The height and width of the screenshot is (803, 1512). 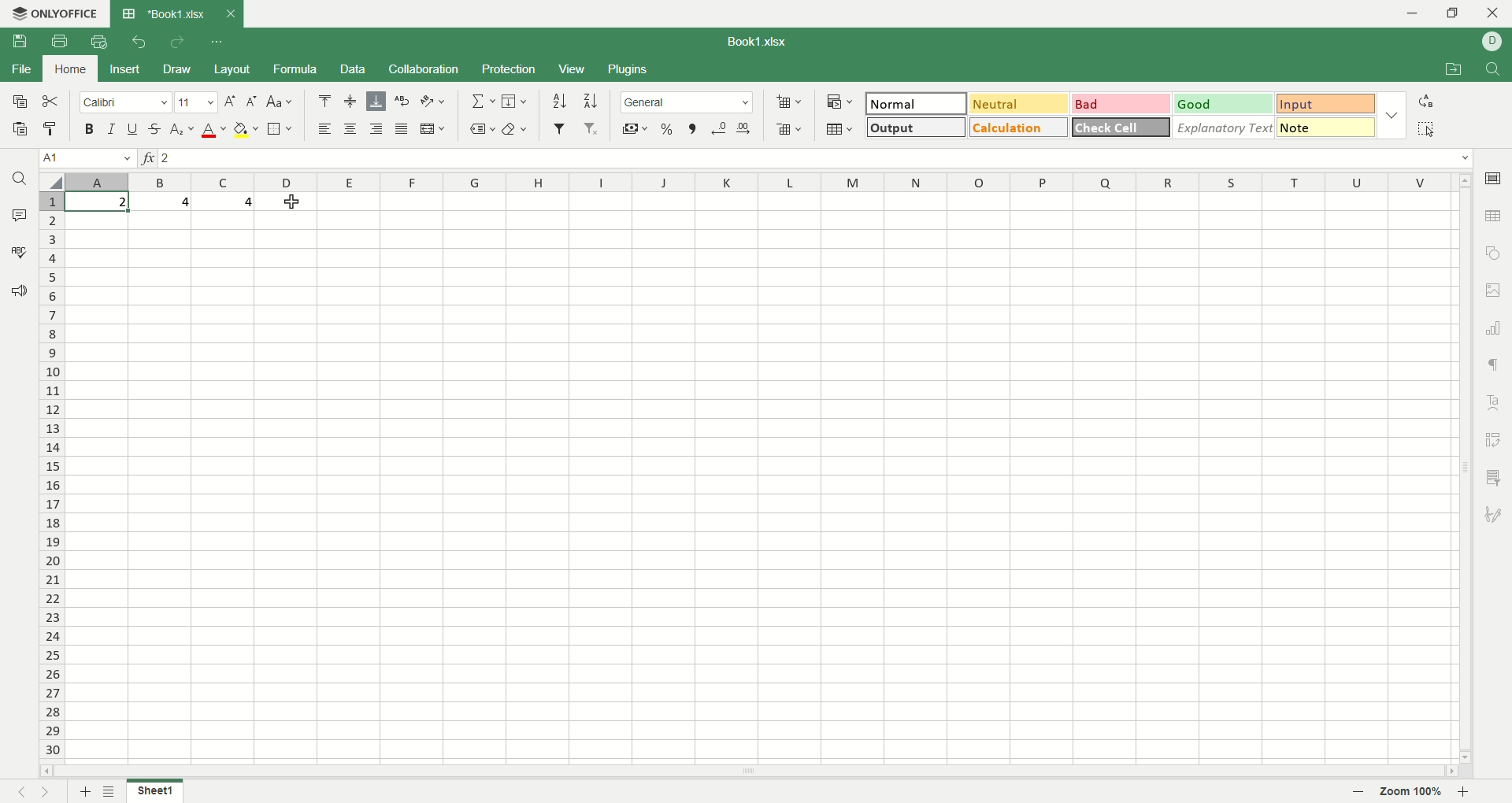 I want to click on align middle, so click(x=349, y=102).